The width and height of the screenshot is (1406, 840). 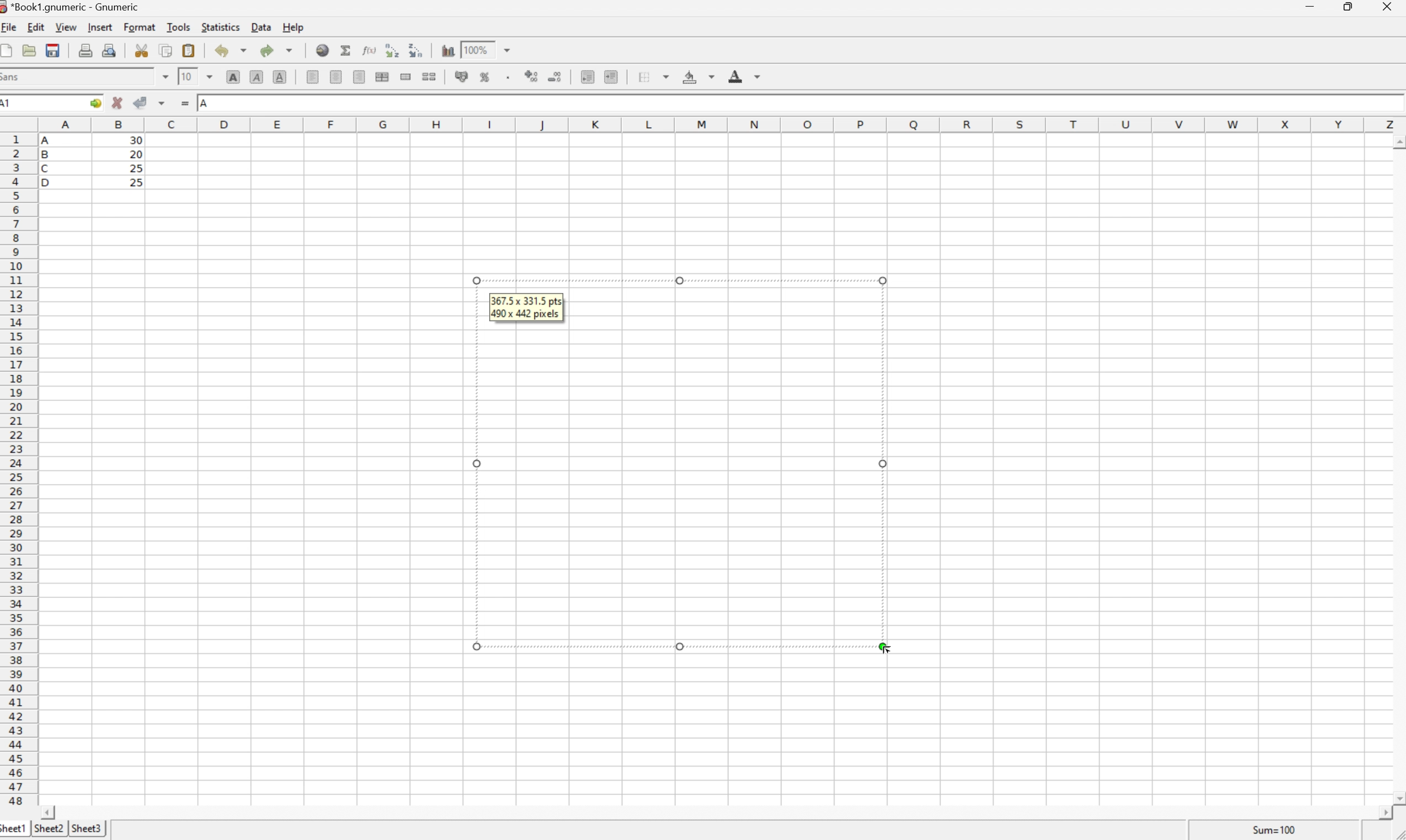 I want to click on Print the current file, so click(x=86, y=50).